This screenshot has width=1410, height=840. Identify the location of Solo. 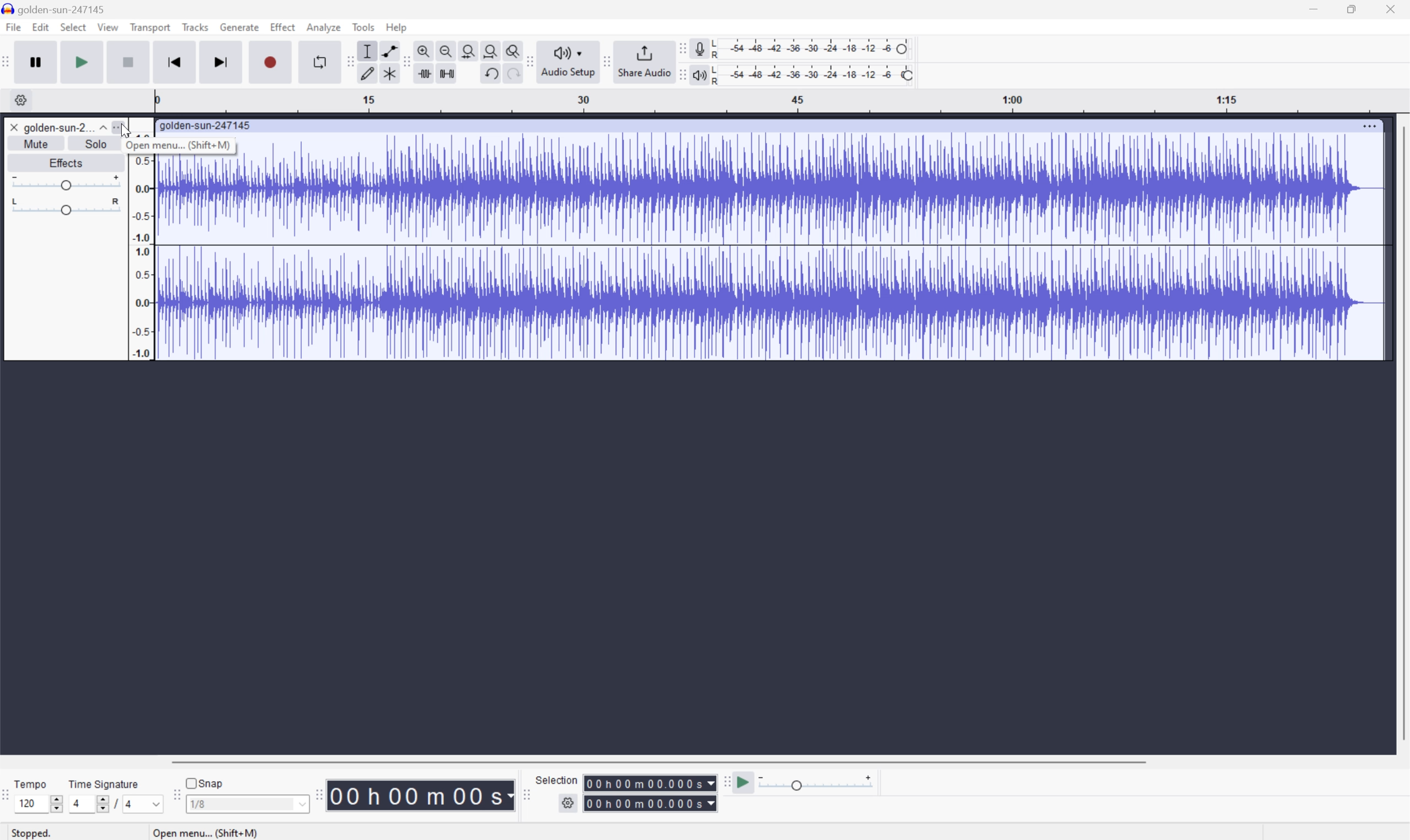
(96, 145).